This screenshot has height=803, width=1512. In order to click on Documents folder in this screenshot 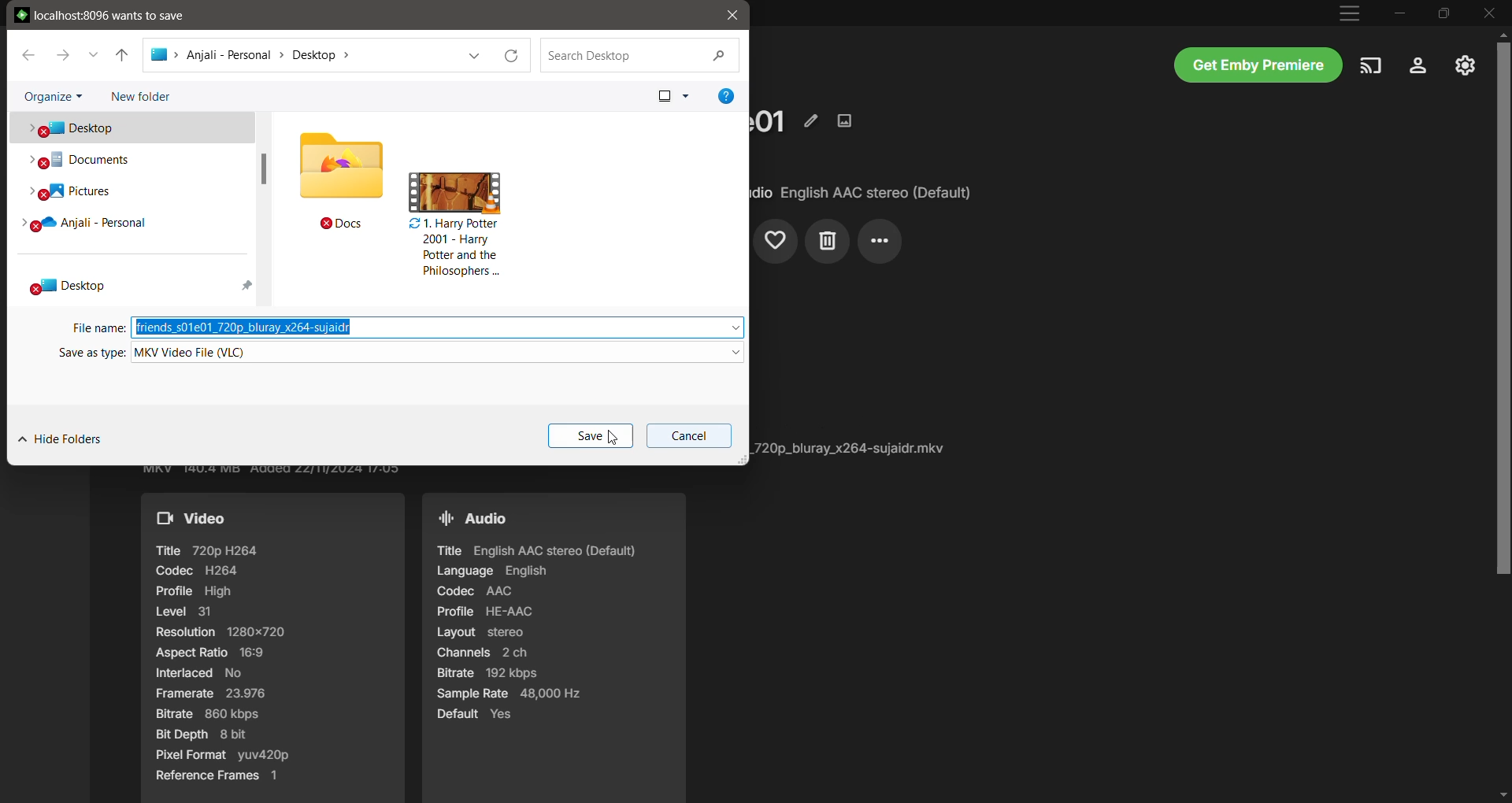, I will do `click(131, 160)`.